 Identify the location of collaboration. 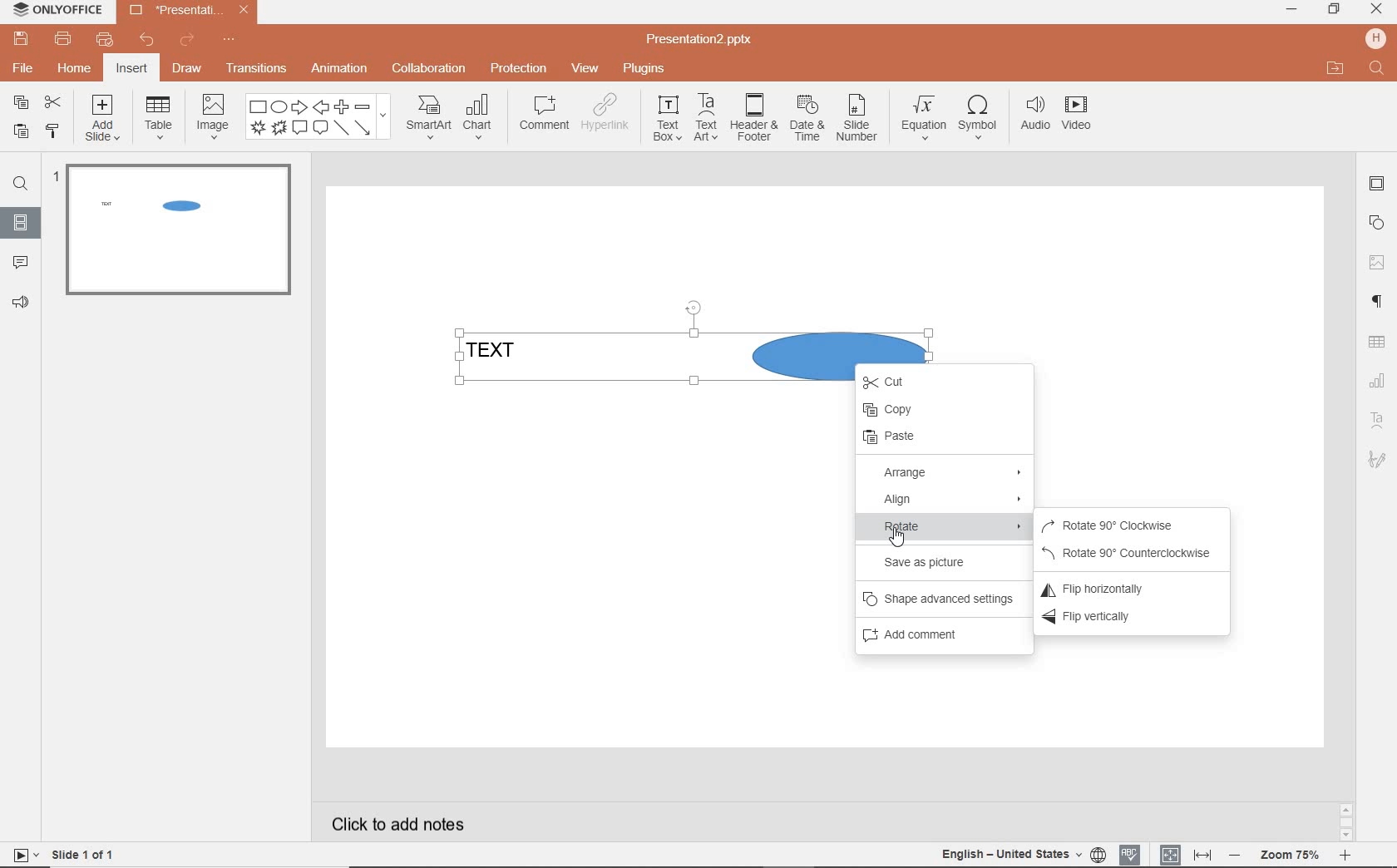
(427, 70).